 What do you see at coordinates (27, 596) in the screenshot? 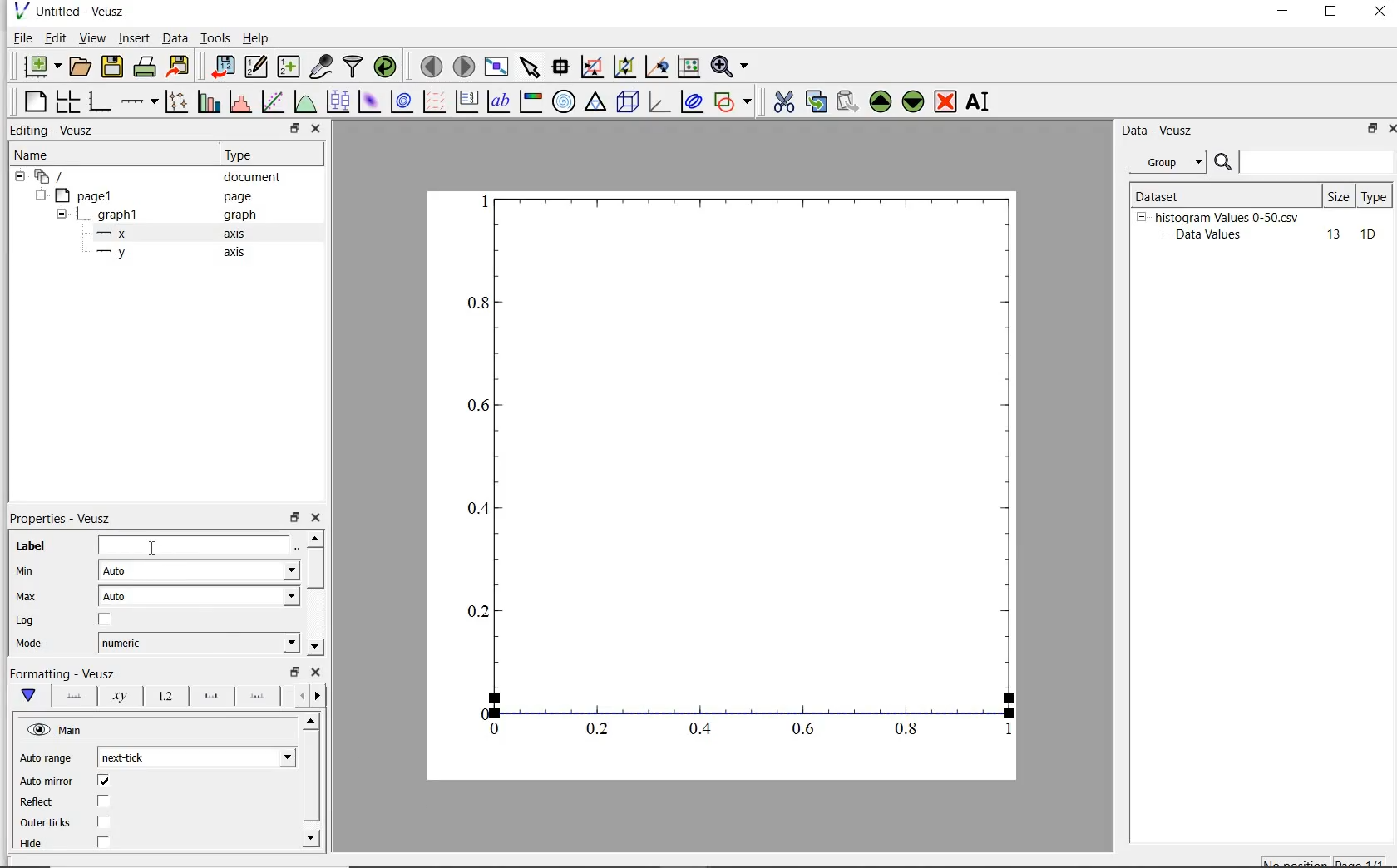
I see `Max` at bounding box center [27, 596].